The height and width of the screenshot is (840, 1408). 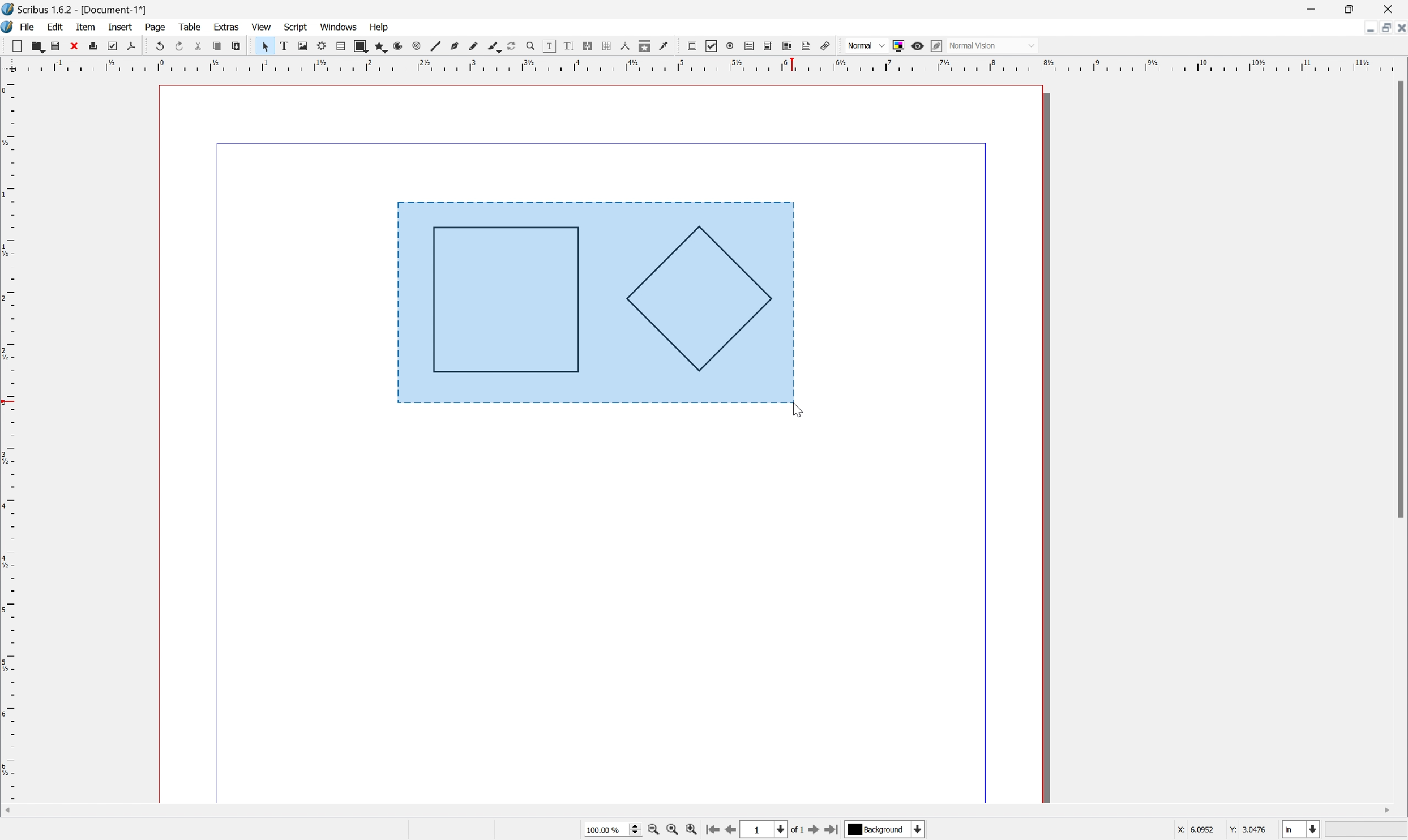 What do you see at coordinates (587, 46) in the screenshot?
I see `link text frames` at bounding box center [587, 46].